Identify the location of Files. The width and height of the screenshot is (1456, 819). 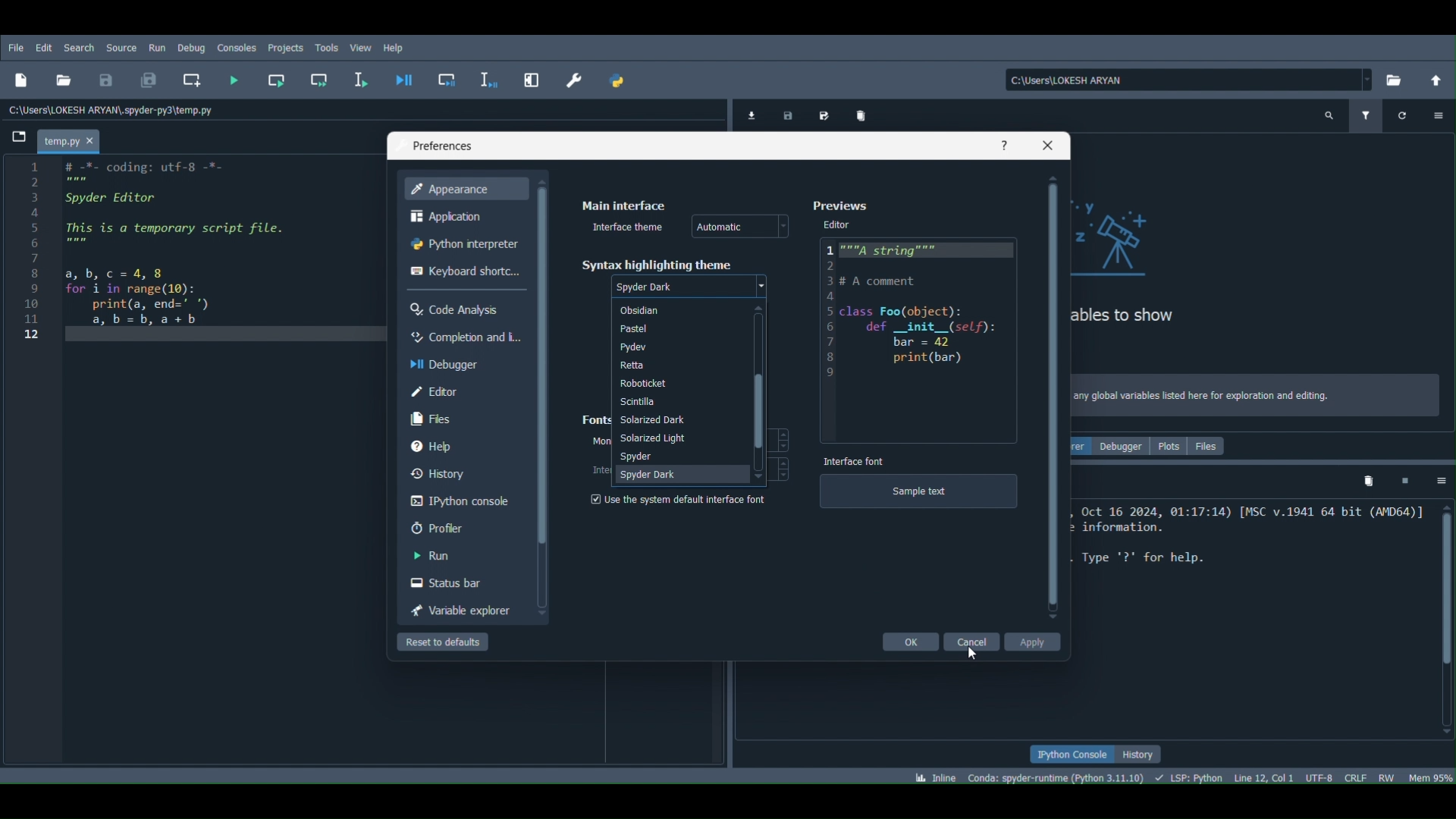
(1214, 446).